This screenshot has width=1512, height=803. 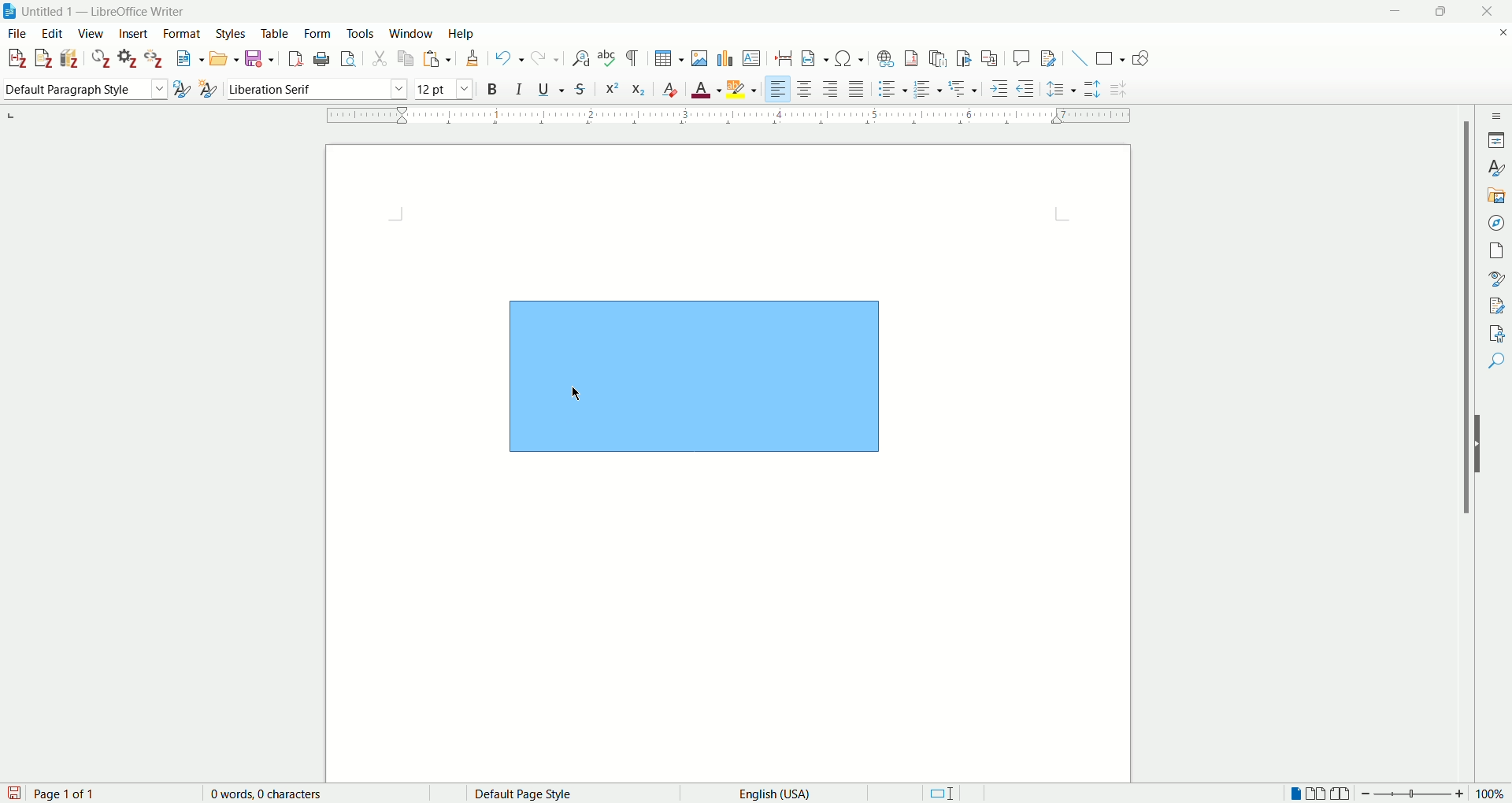 I want to click on italic, so click(x=521, y=89).